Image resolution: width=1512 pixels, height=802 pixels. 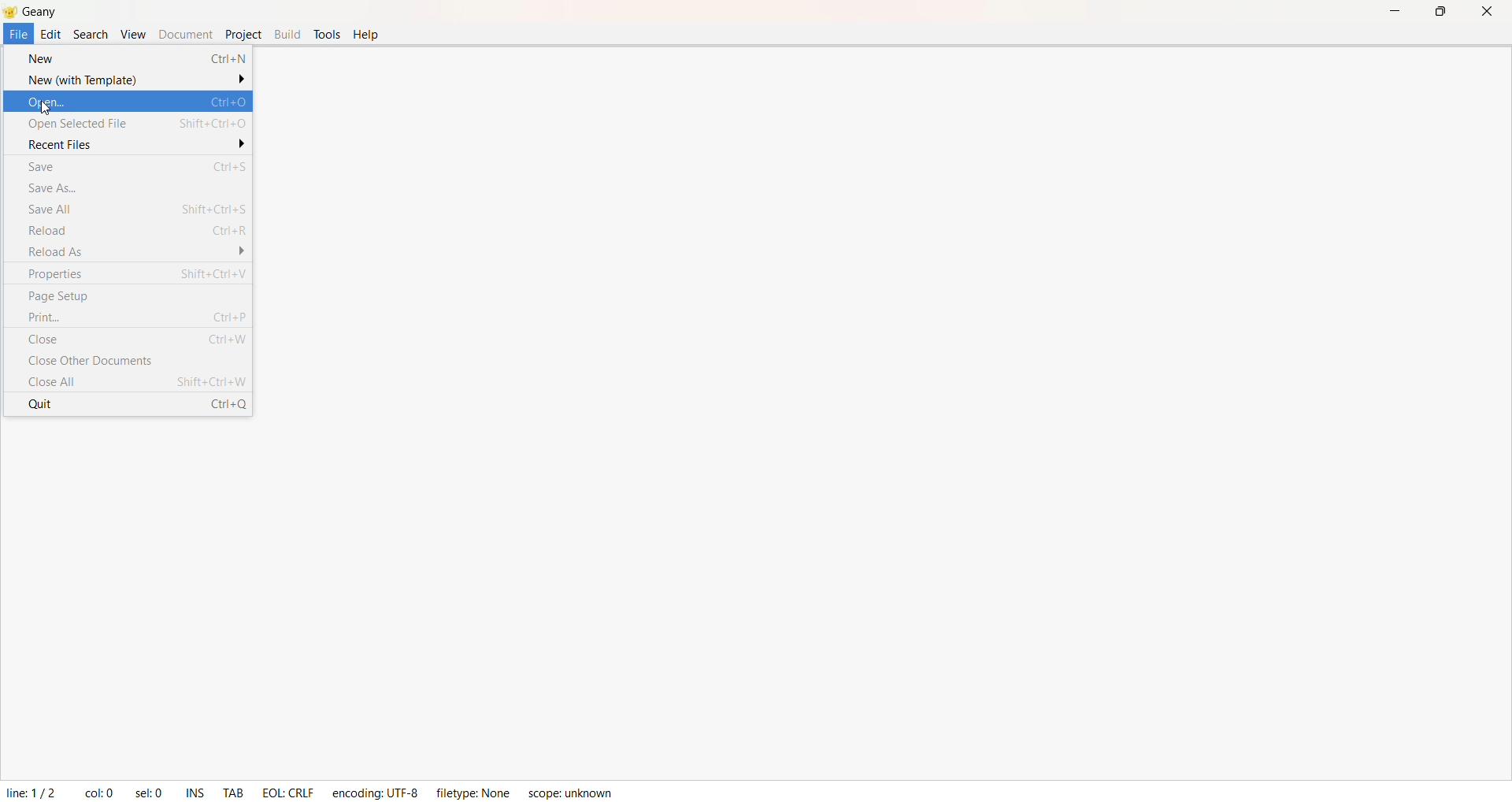 What do you see at coordinates (1485, 15) in the screenshot?
I see `Close` at bounding box center [1485, 15].